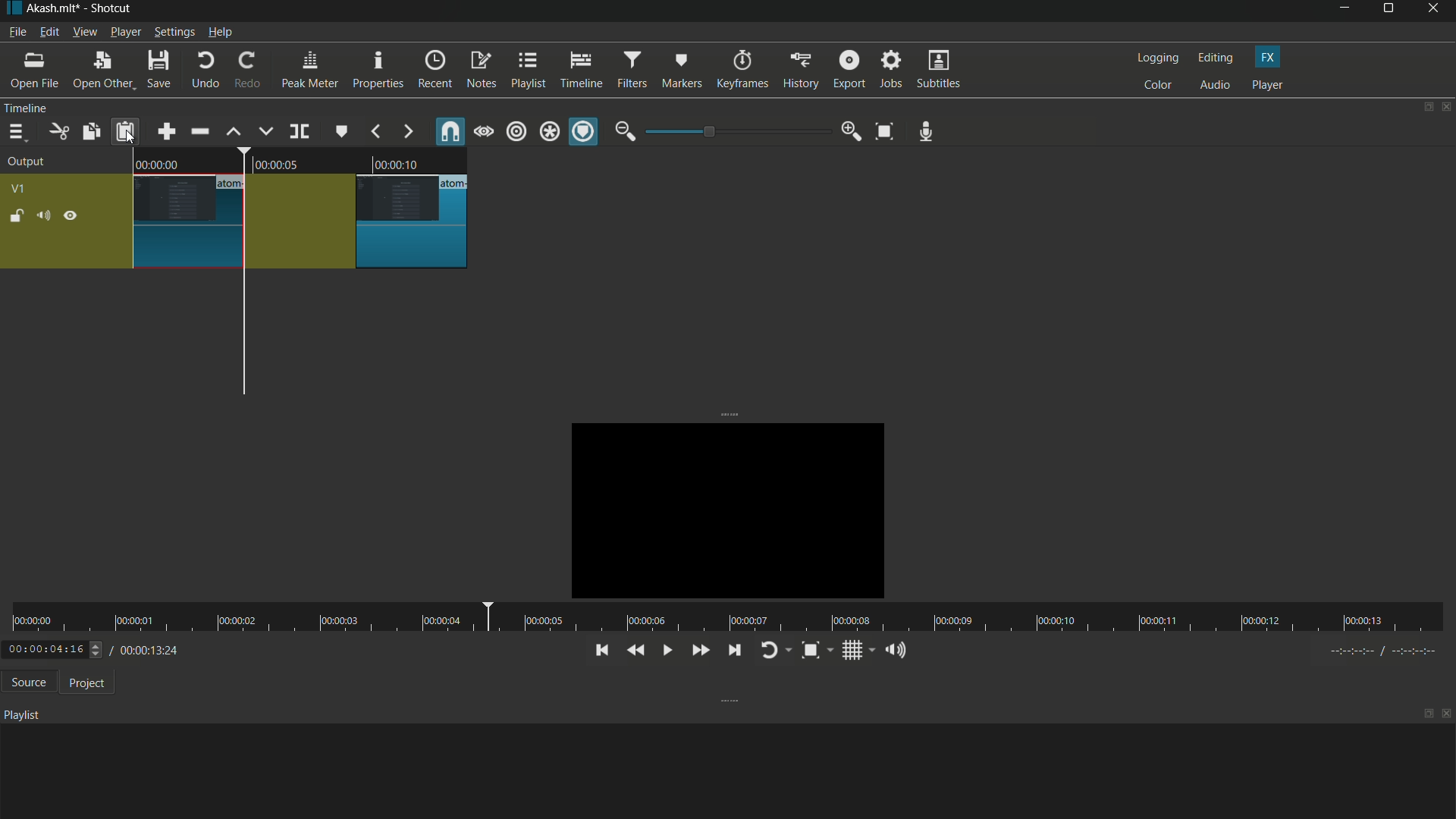 This screenshot has height=819, width=1456. What do you see at coordinates (1269, 58) in the screenshot?
I see `fx` at bounding box center [1269, 58].